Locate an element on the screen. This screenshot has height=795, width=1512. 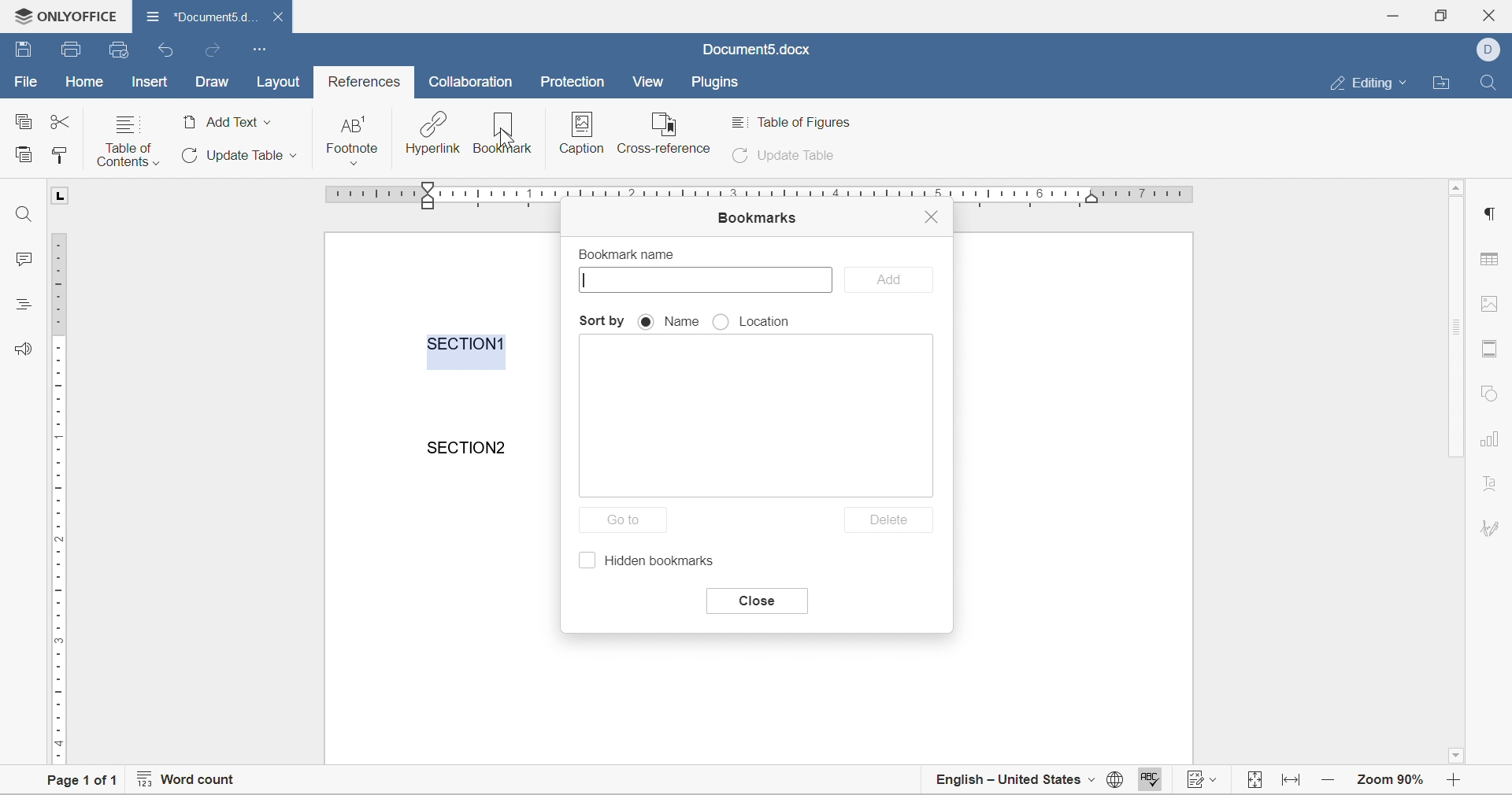
L is located at coordinates (61, 195).